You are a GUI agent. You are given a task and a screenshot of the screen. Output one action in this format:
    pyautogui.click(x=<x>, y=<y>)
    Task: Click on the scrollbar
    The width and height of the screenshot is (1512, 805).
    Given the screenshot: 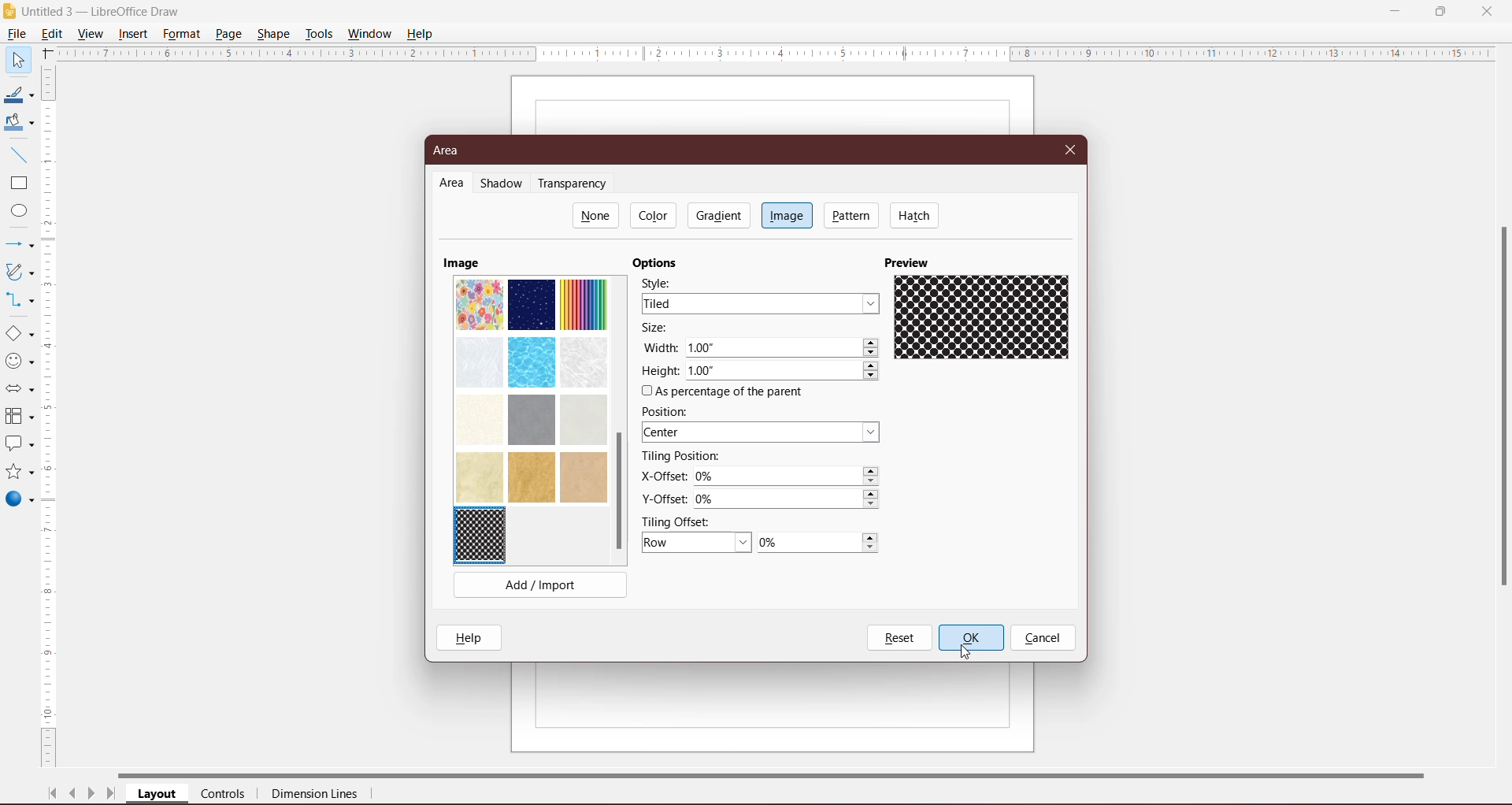 What is the action you would take?
    pyautogui.click(x=1499, y=427)
    